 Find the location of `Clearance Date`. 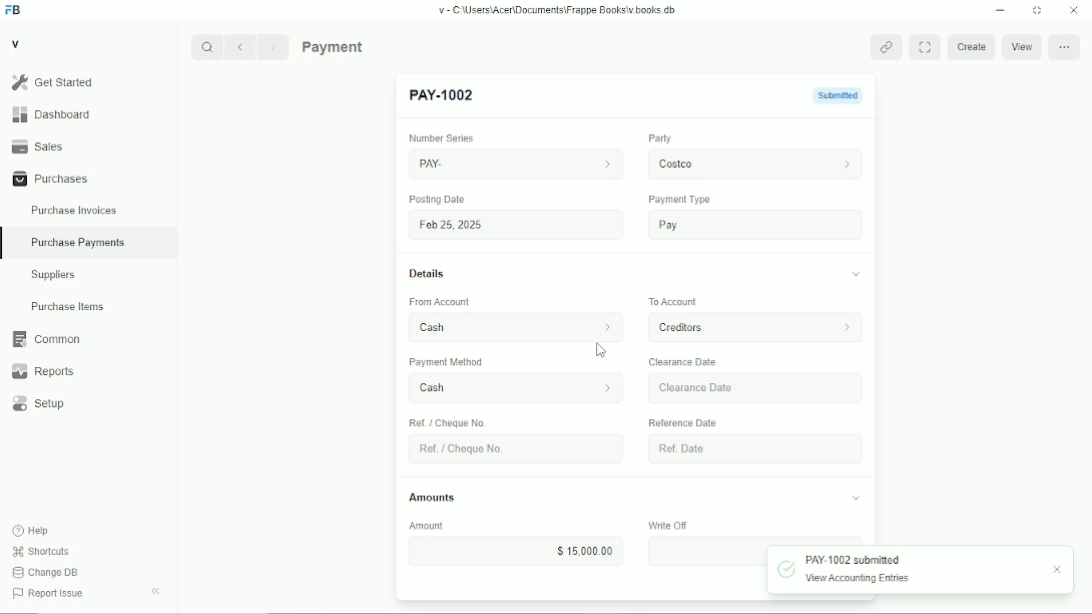

Clearance Date is located at coordinates (683, 362).